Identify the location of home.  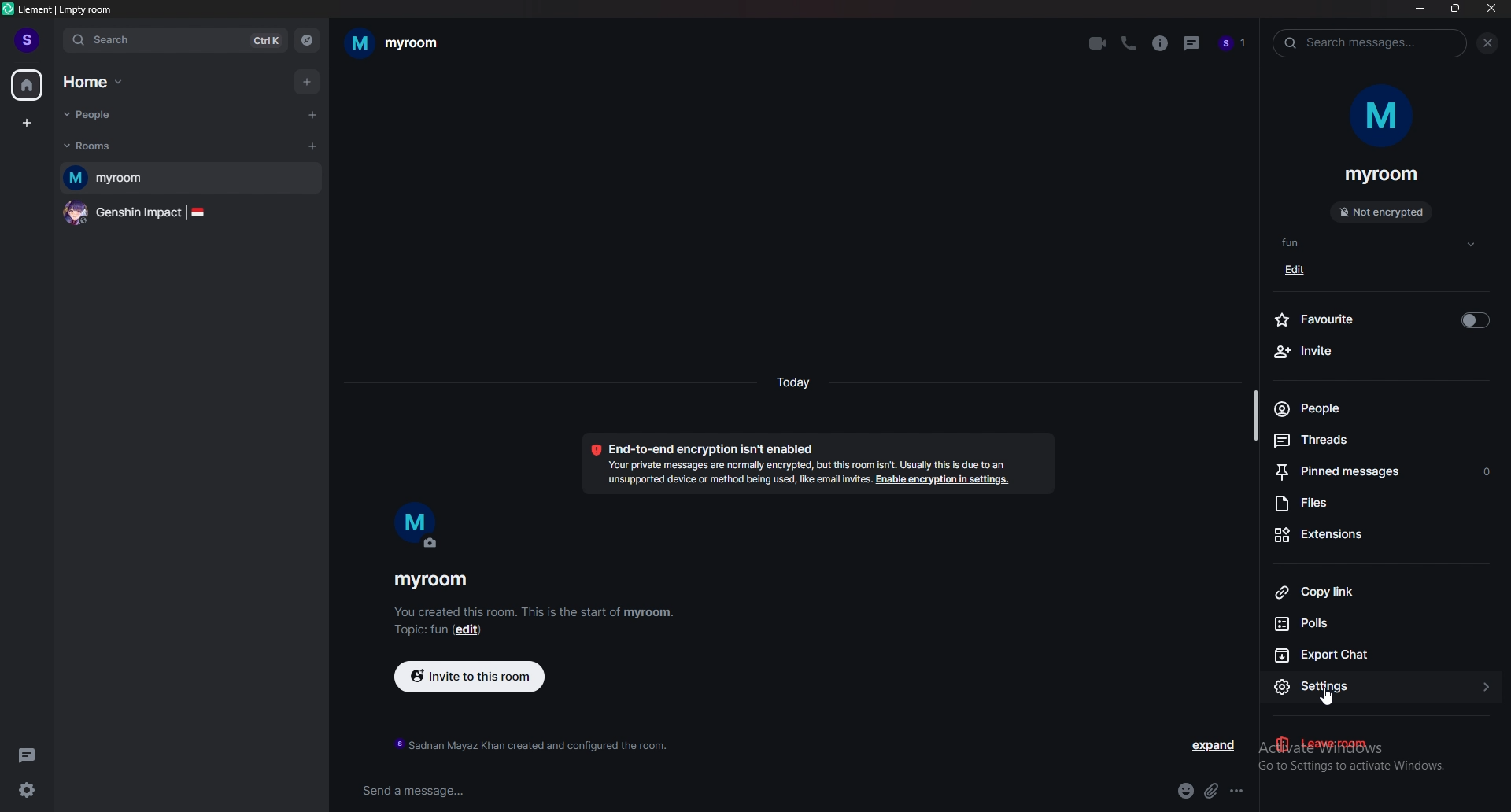
(28, 85).